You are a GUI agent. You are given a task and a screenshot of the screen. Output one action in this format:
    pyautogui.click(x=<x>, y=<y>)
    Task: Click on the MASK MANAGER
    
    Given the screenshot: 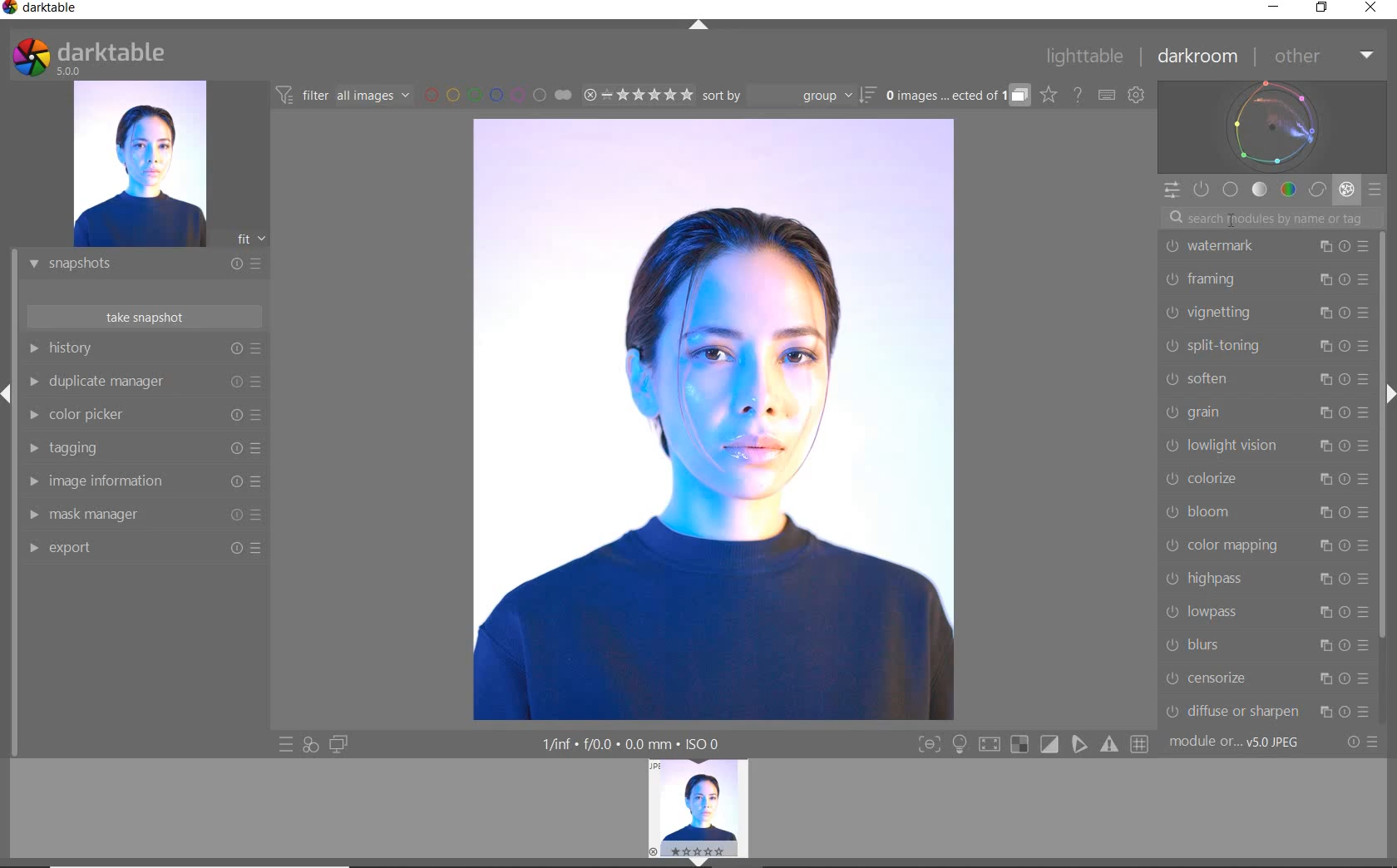 What is the action you would take?
    pyautogui.click(x=137, y=515)
    